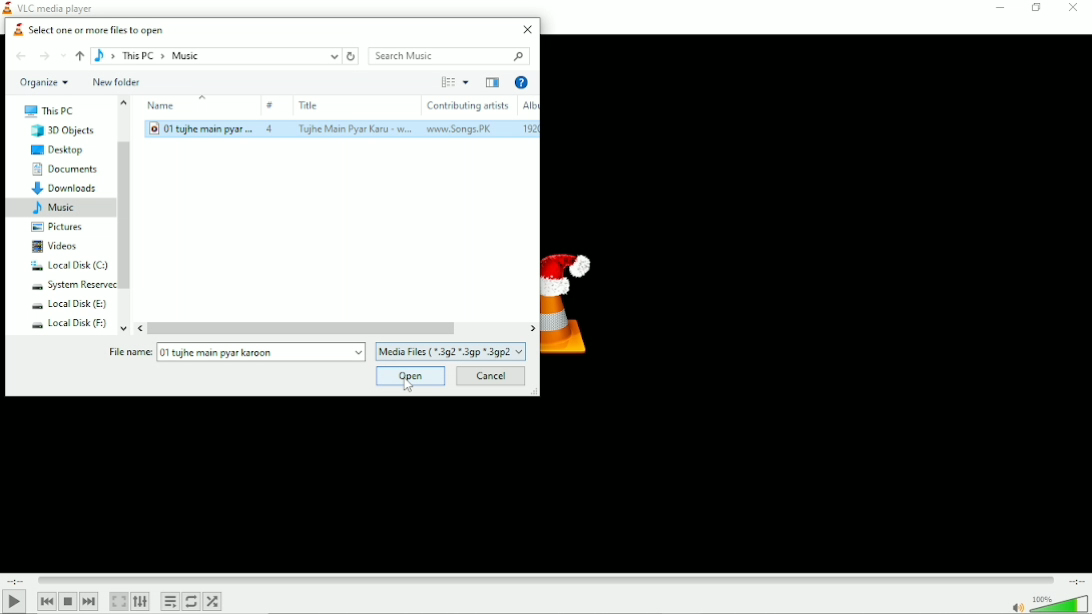 This screenshot has width=1092, height=614. Describe the element at coordinates (141, 602) in the screenshot. I see `Show extended settings` at that location.